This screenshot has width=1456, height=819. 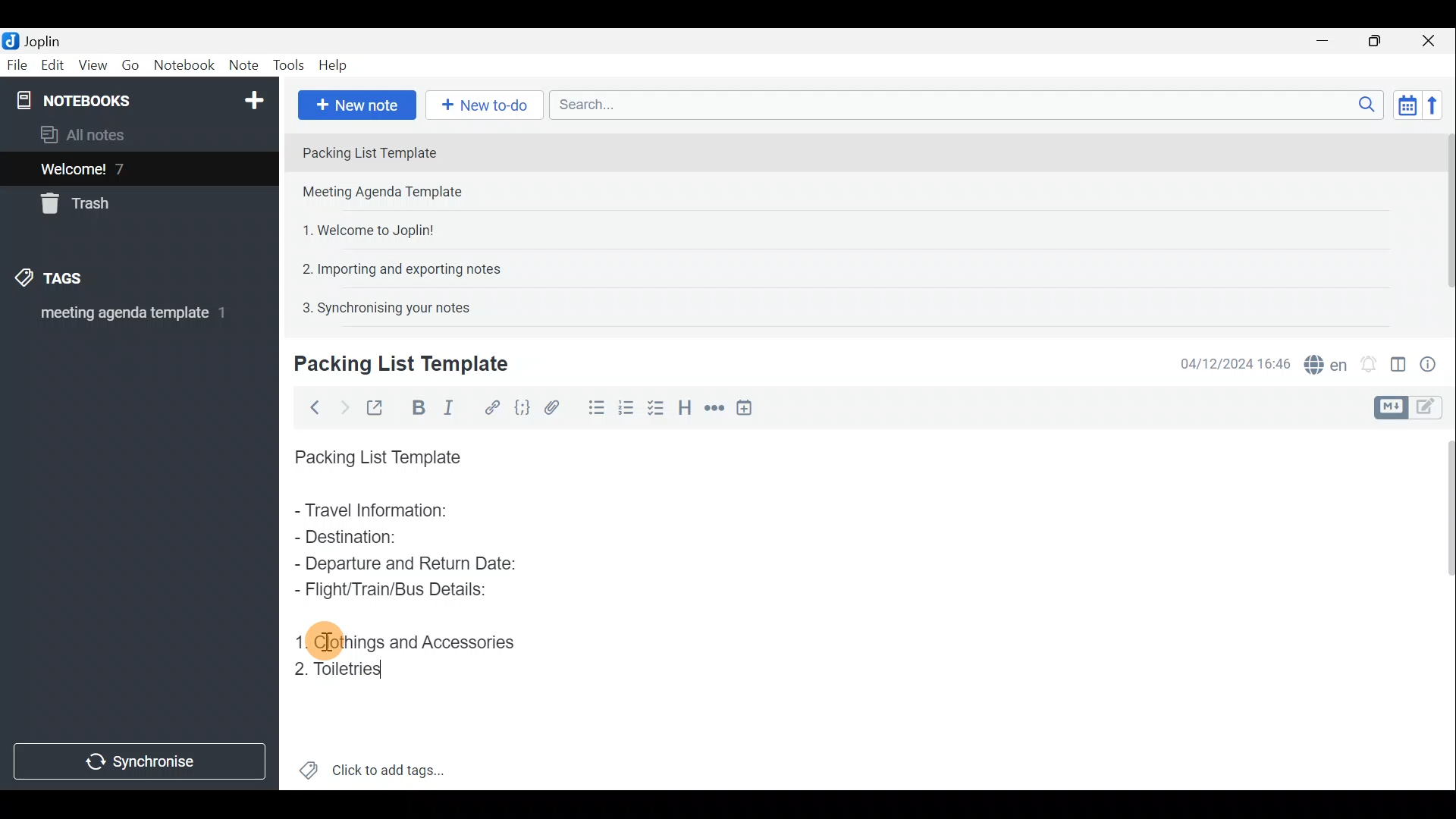 What do you see at coordinates (522, 406) in the screenshot?
I see `Code` at bounding box center [522, 406].